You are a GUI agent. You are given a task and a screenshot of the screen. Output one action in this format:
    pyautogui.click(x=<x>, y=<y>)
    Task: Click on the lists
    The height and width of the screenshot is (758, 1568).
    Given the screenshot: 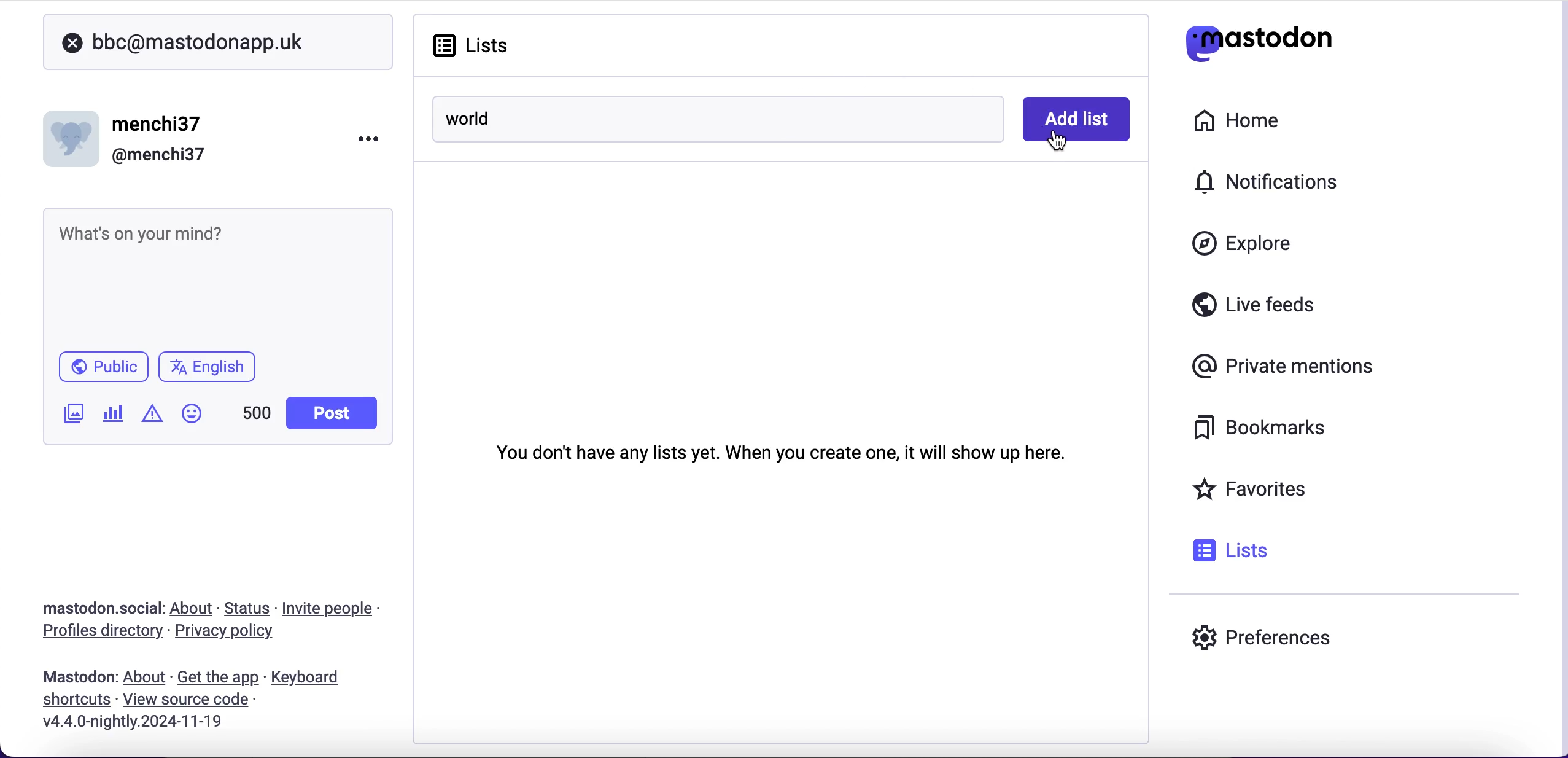 What is the action you would take?
    pyautogui.click(x=472, y=44)
    